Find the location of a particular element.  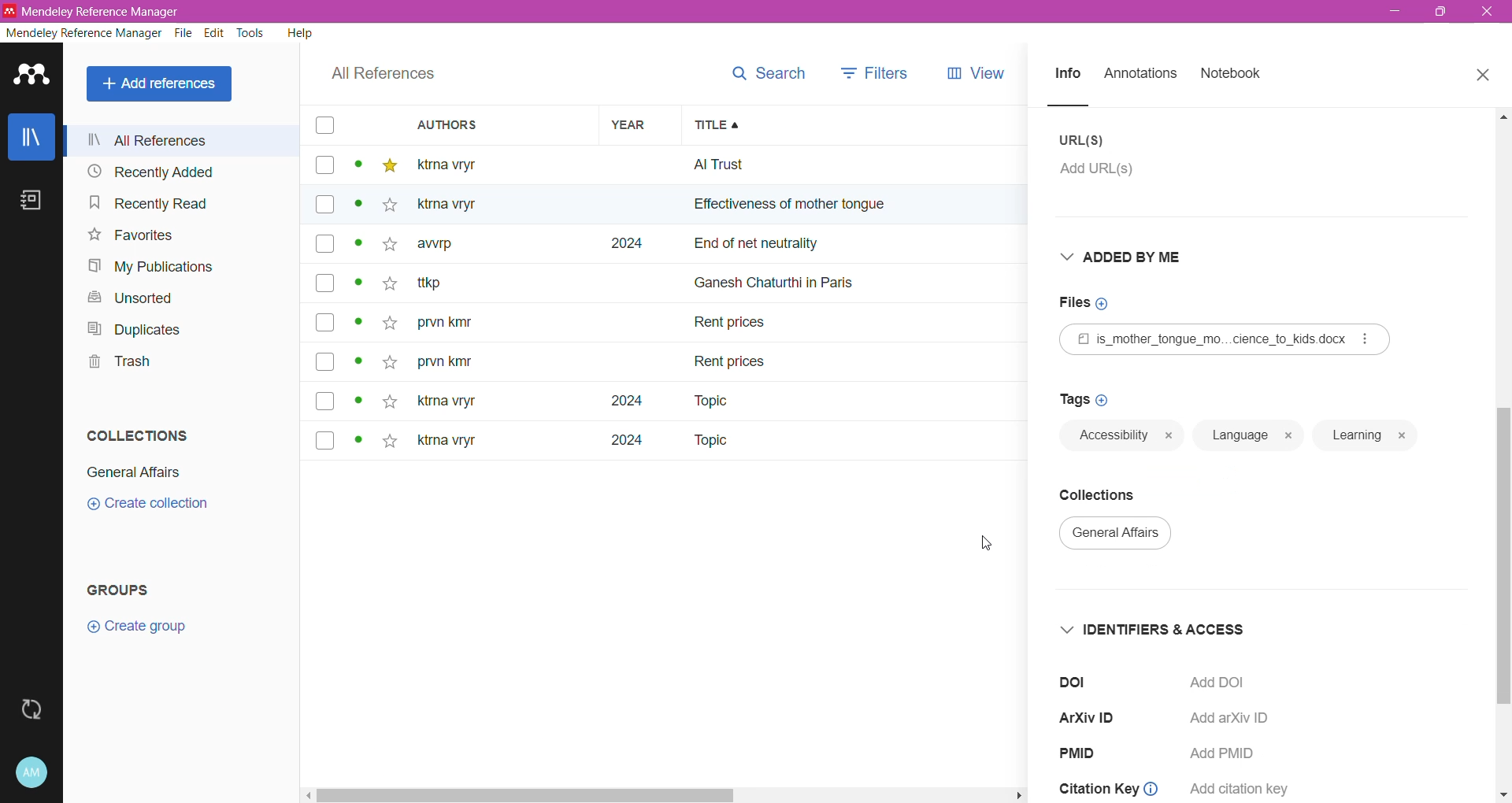

Identifiers and Access is located at coordinates (1159, 635).